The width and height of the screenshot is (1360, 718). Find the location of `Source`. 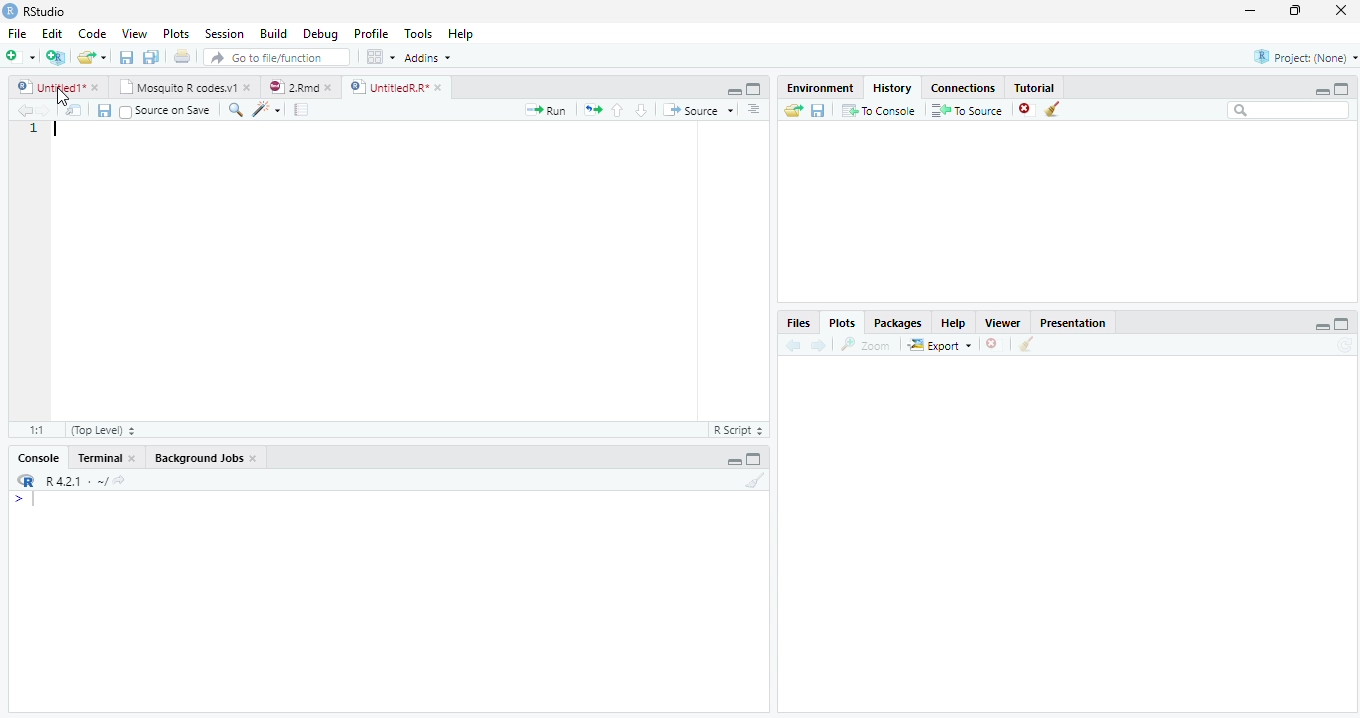

Source is located at coordinates (701, 111).